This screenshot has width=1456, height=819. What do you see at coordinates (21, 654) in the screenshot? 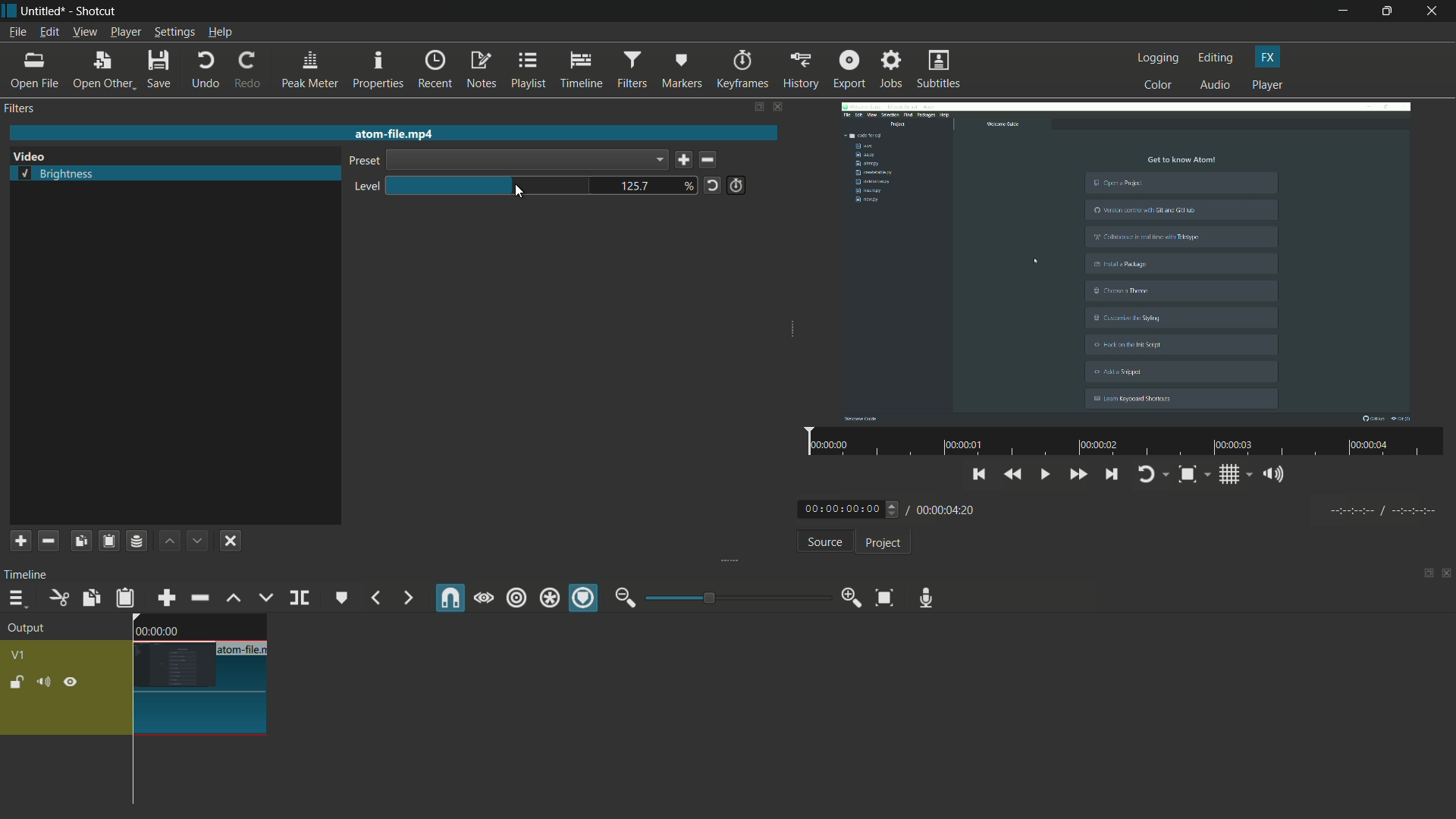
I see `v1` at bounding box center [21, 654].